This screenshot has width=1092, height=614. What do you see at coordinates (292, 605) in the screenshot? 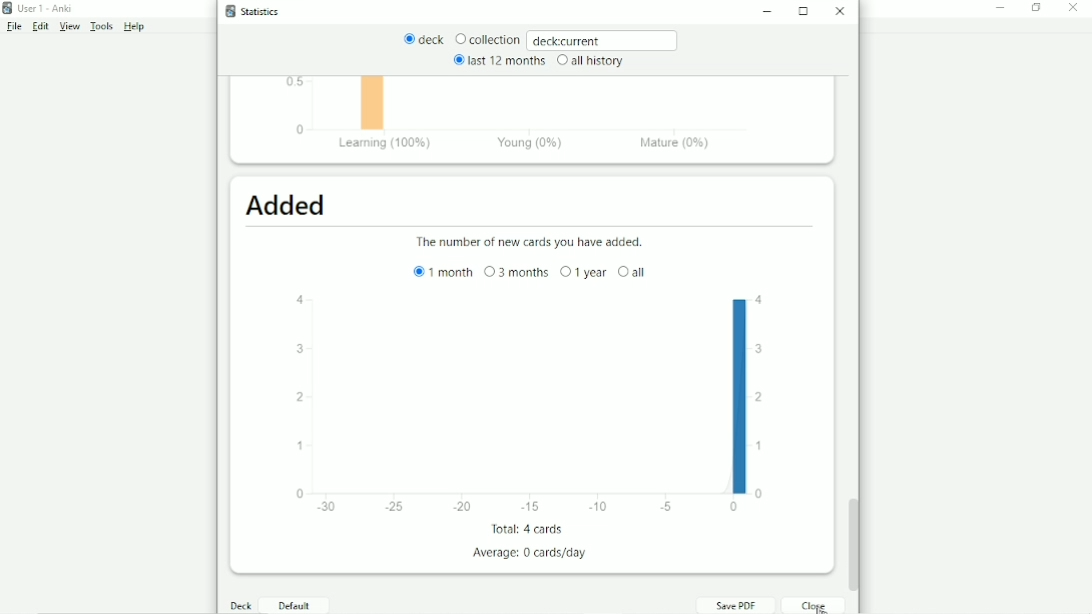
I see `Default` at bounding box center [292, 605].